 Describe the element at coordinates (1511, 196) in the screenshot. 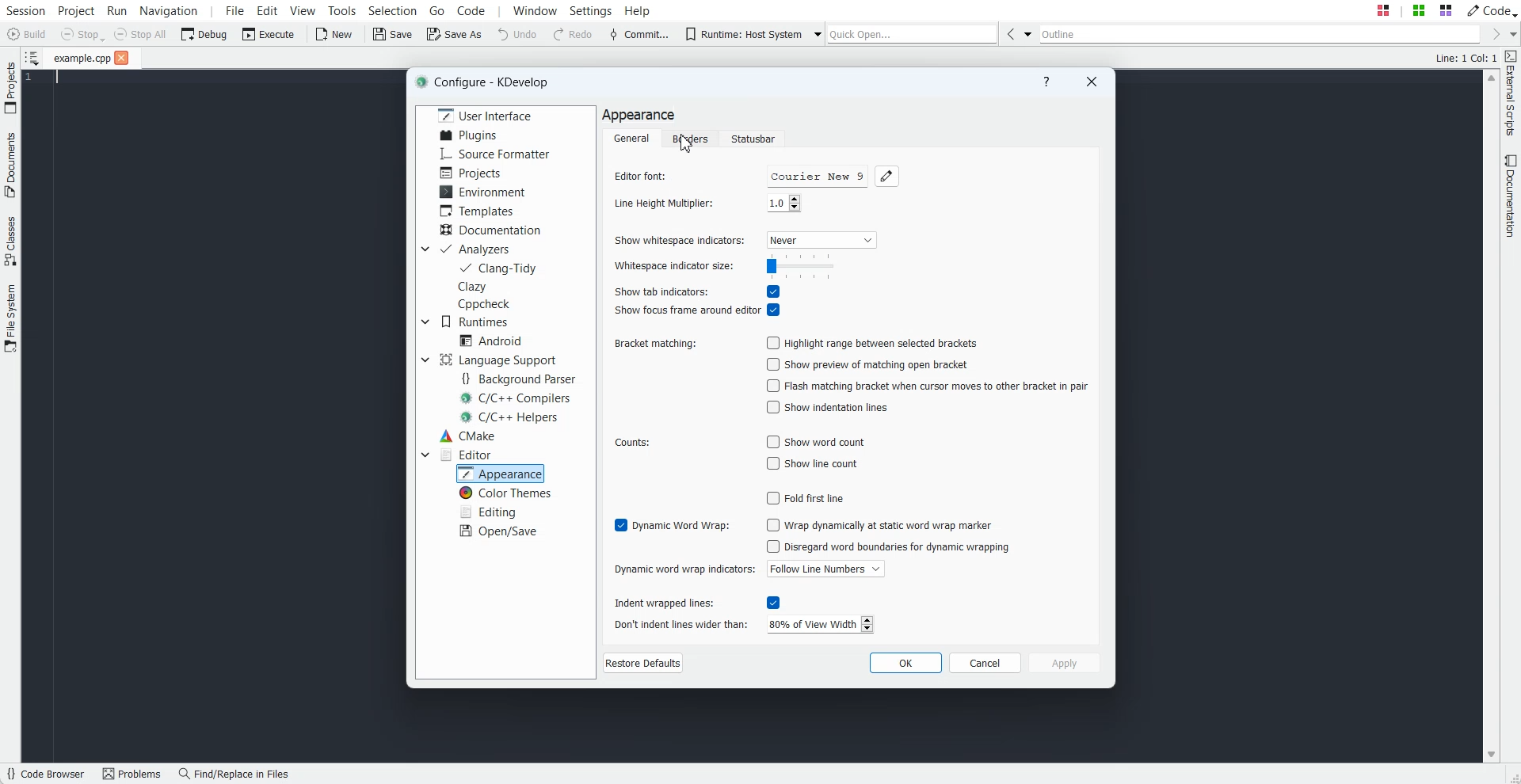

I see `Documentation` at that location.